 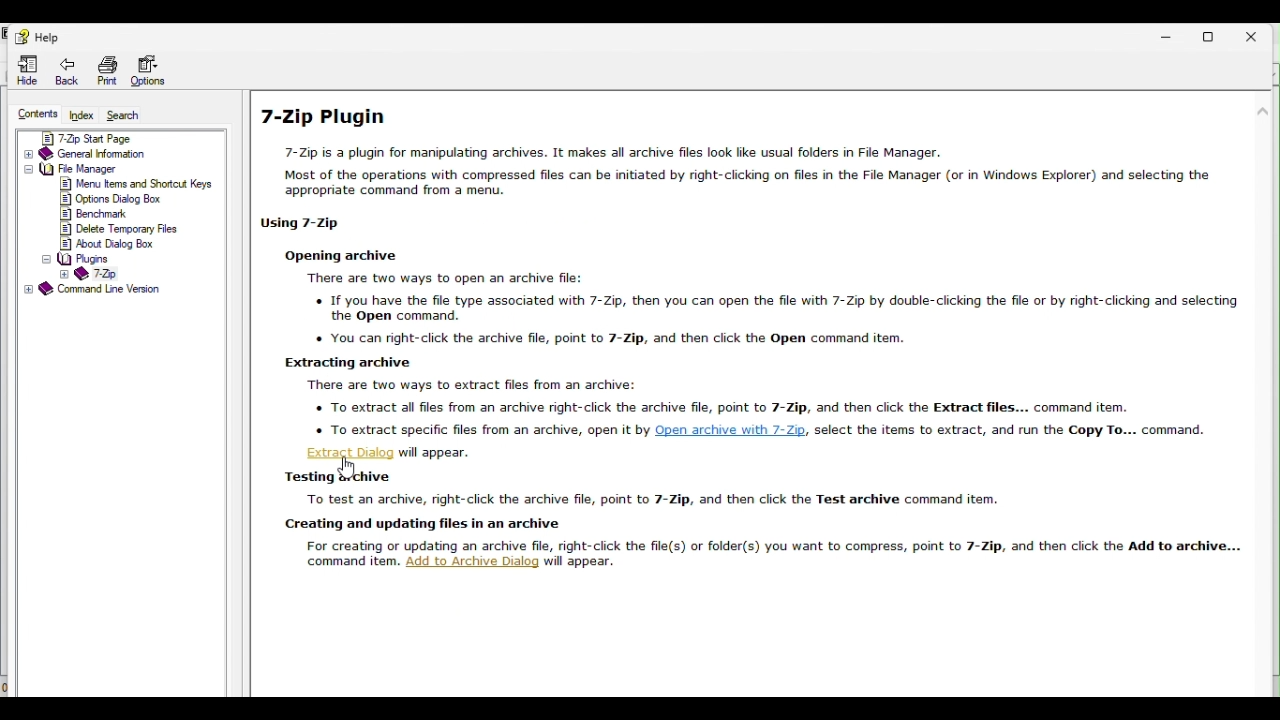 I want to click on add, so click(x=473, y=562).